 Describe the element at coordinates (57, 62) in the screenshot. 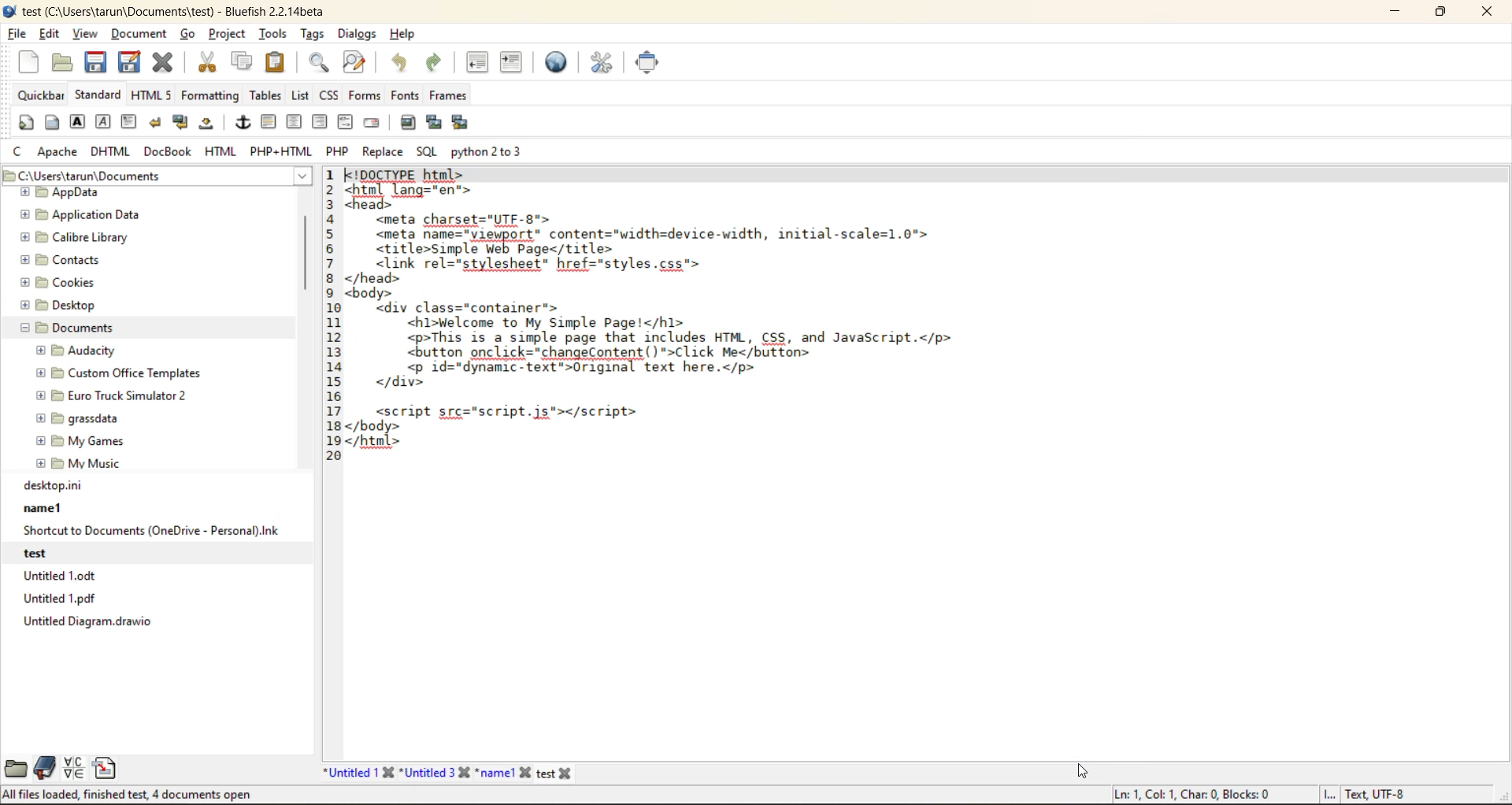

I see `open` at that location.